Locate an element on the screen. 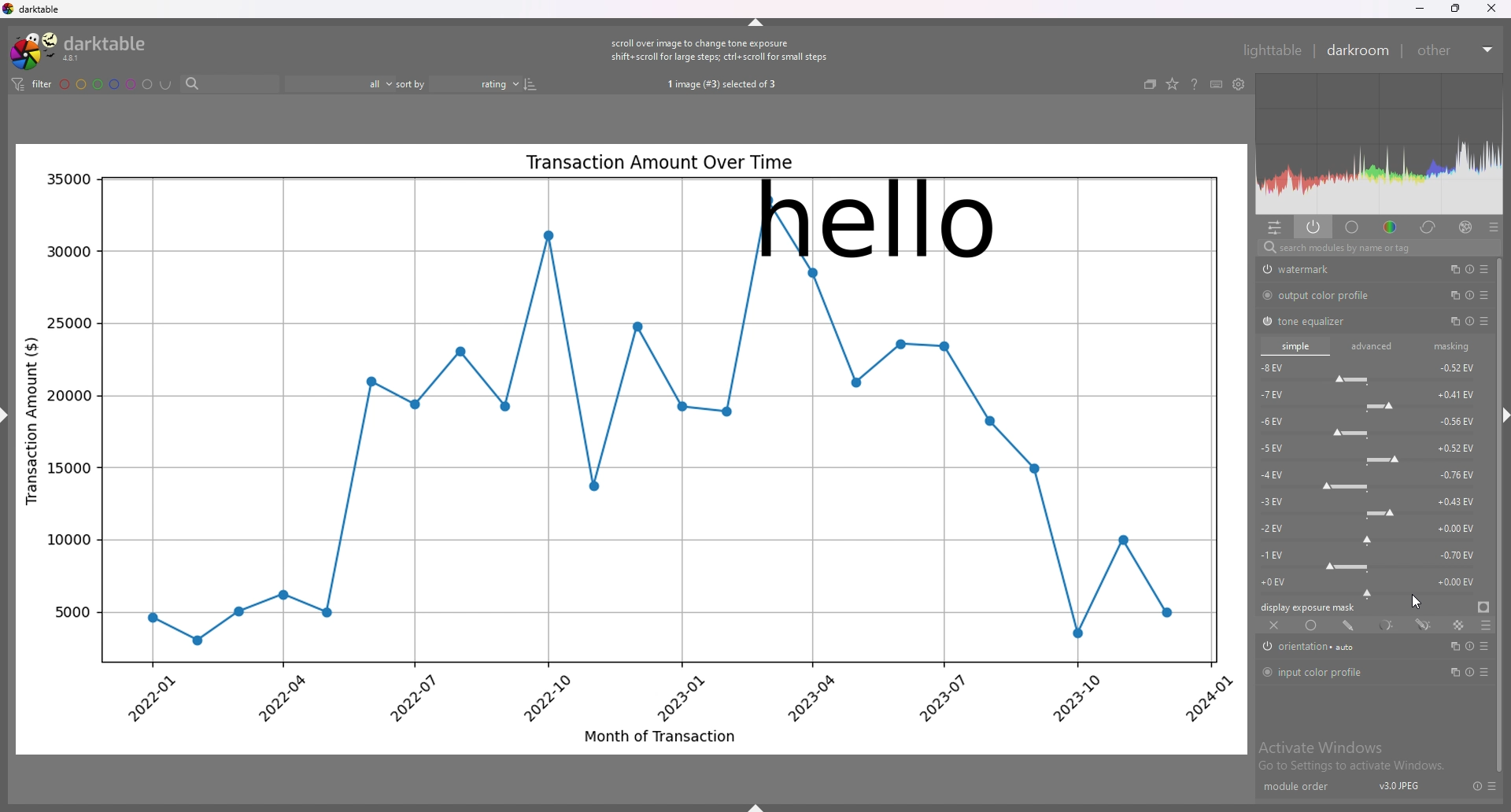 The height and width of the screenshot is (812, 1511). 20000 is located at coordinates (68, 396).